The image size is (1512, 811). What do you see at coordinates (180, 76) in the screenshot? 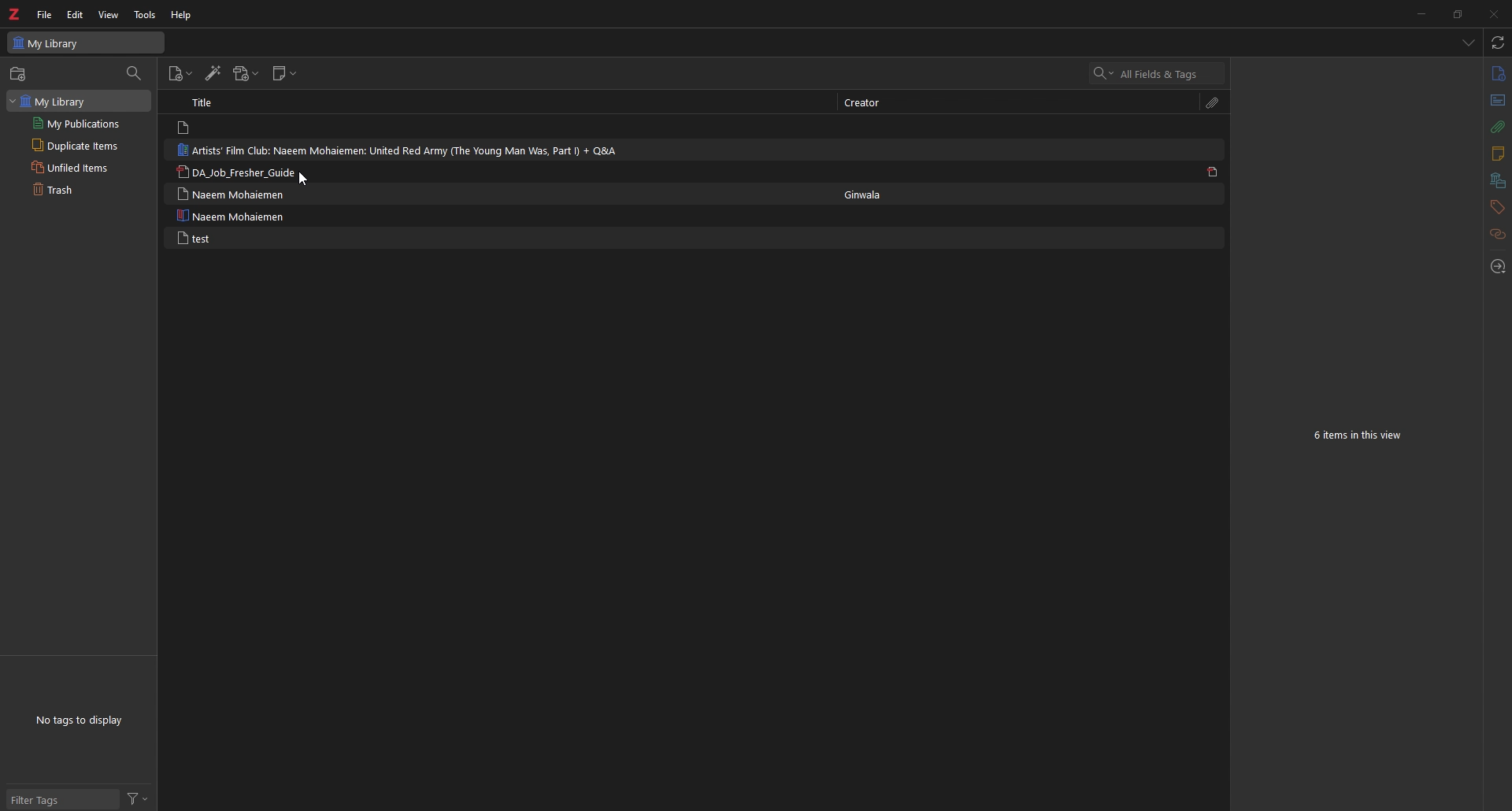
I see `new item` at bounding box center [180, 76].